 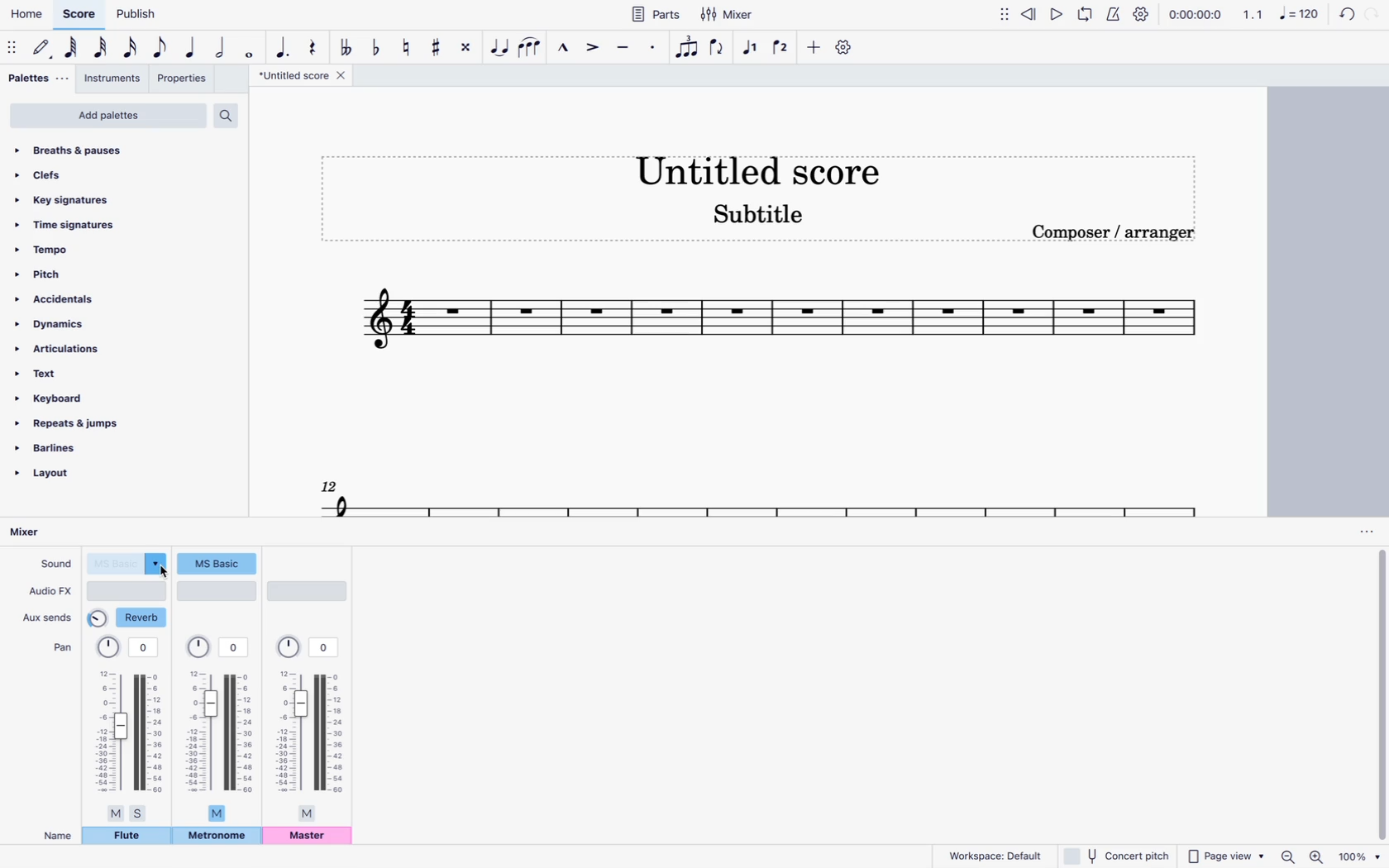 What do you see at coordinates (231, 115) in the screenshot?
I see `search` at bounding box center [231, 115].